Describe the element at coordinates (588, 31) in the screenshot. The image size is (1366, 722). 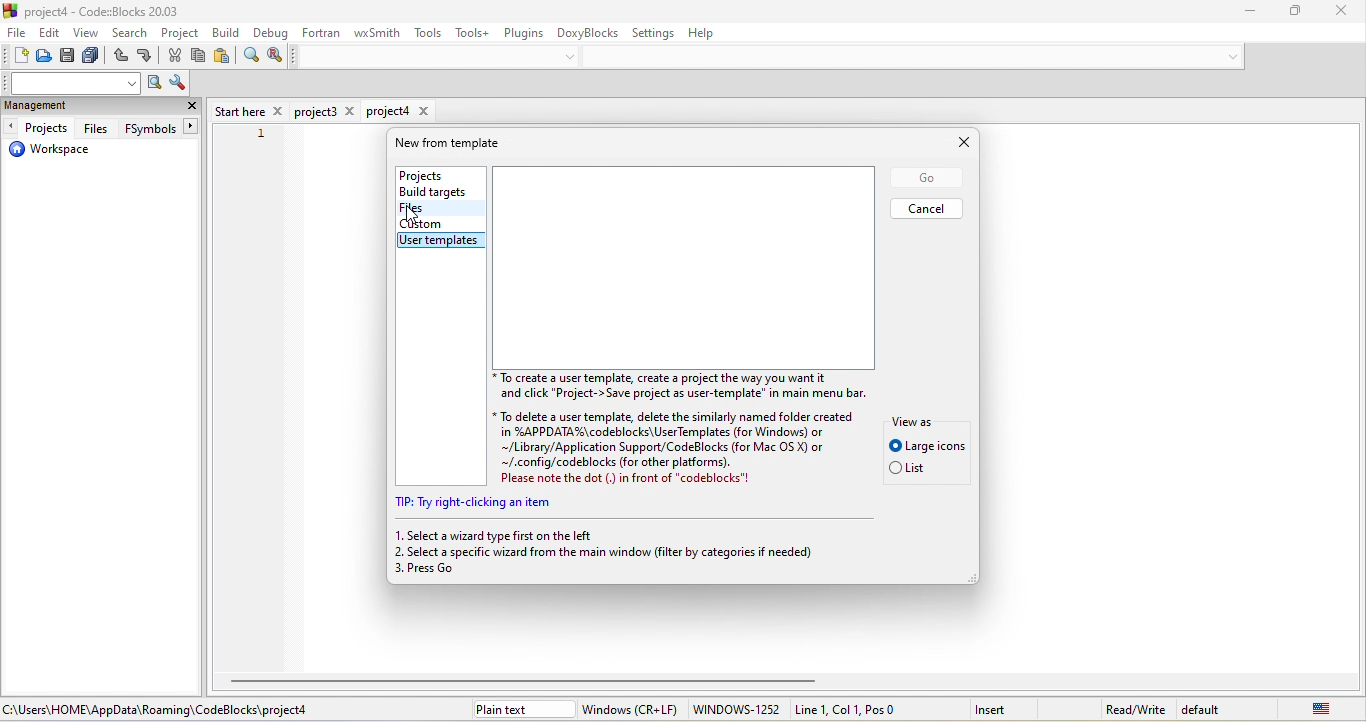
I see `doxyblocks` at that location.